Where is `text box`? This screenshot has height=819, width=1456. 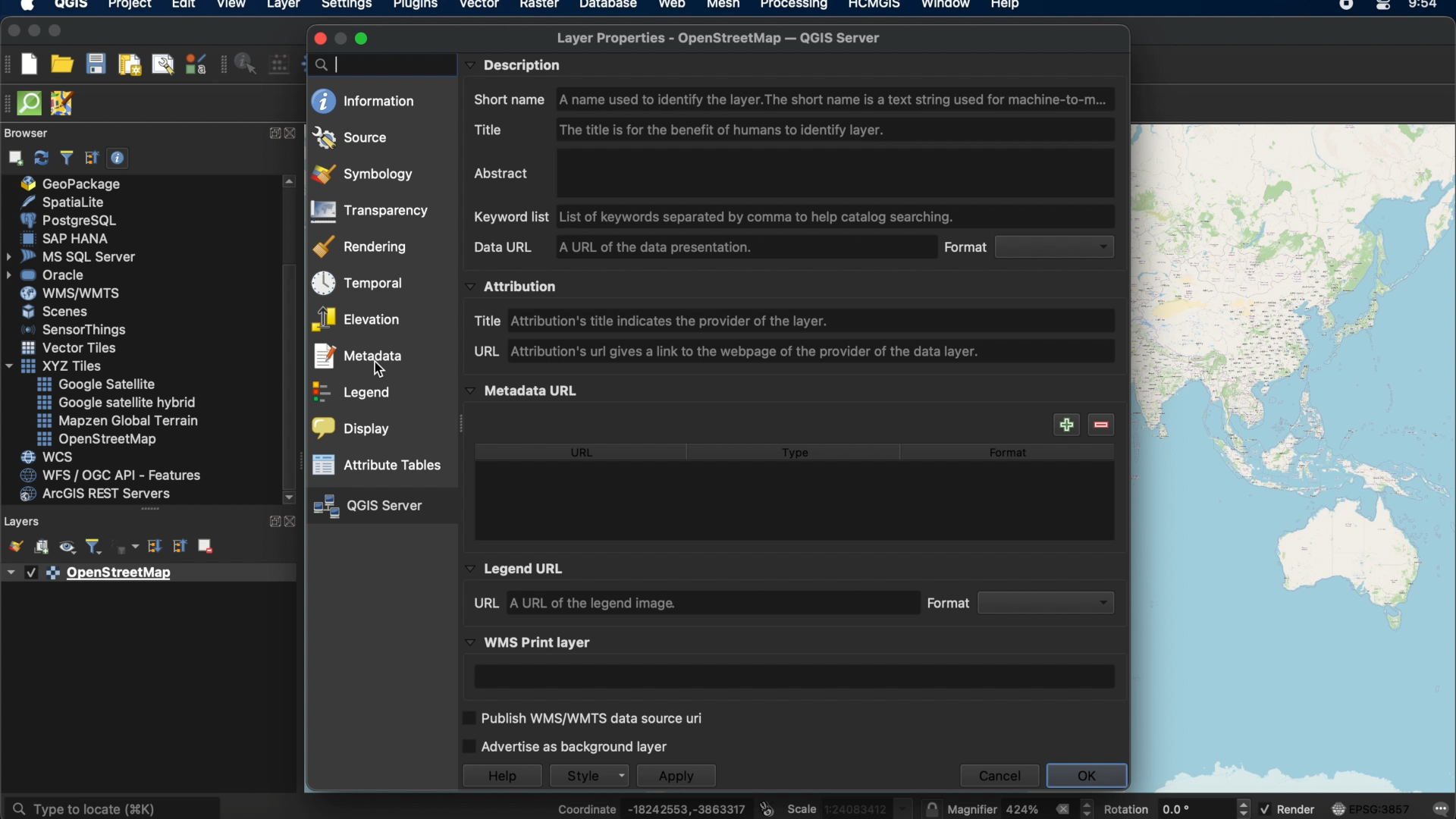
text box is located at coordinates (832, 173).